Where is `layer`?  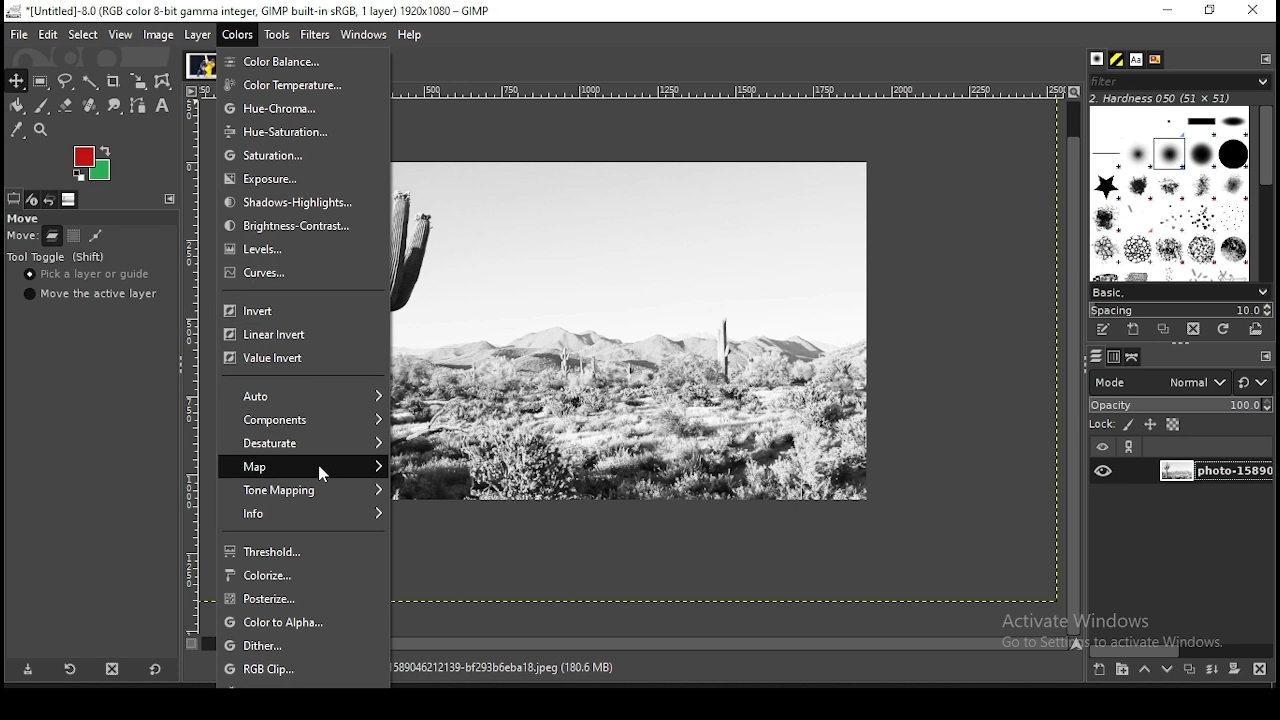 layer is located at coordinates (1213, 472).